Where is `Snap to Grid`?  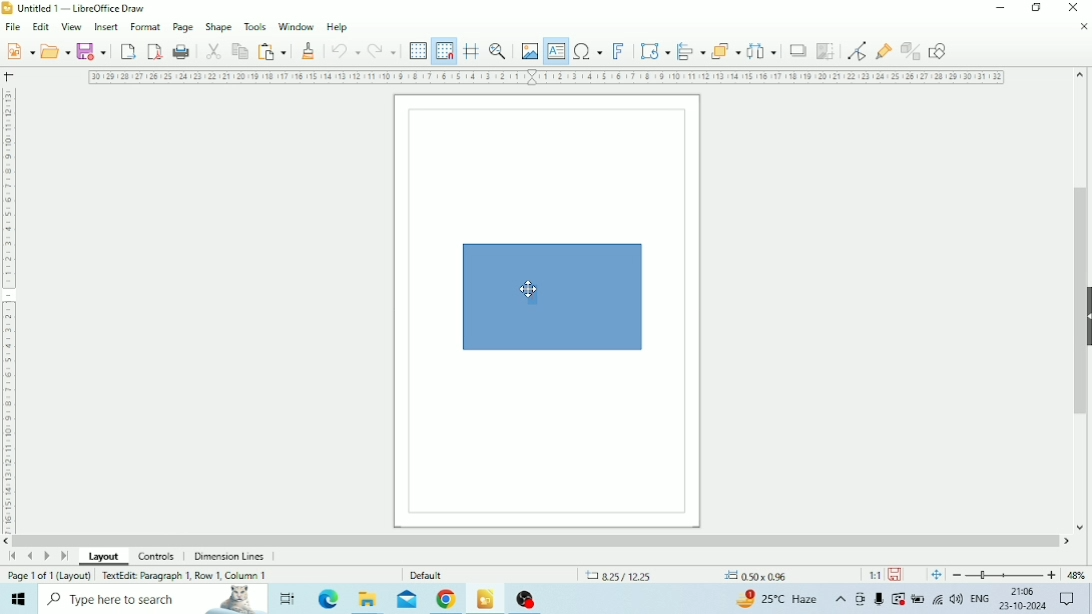
Snap to Grid is located at coordinates (445, 52).